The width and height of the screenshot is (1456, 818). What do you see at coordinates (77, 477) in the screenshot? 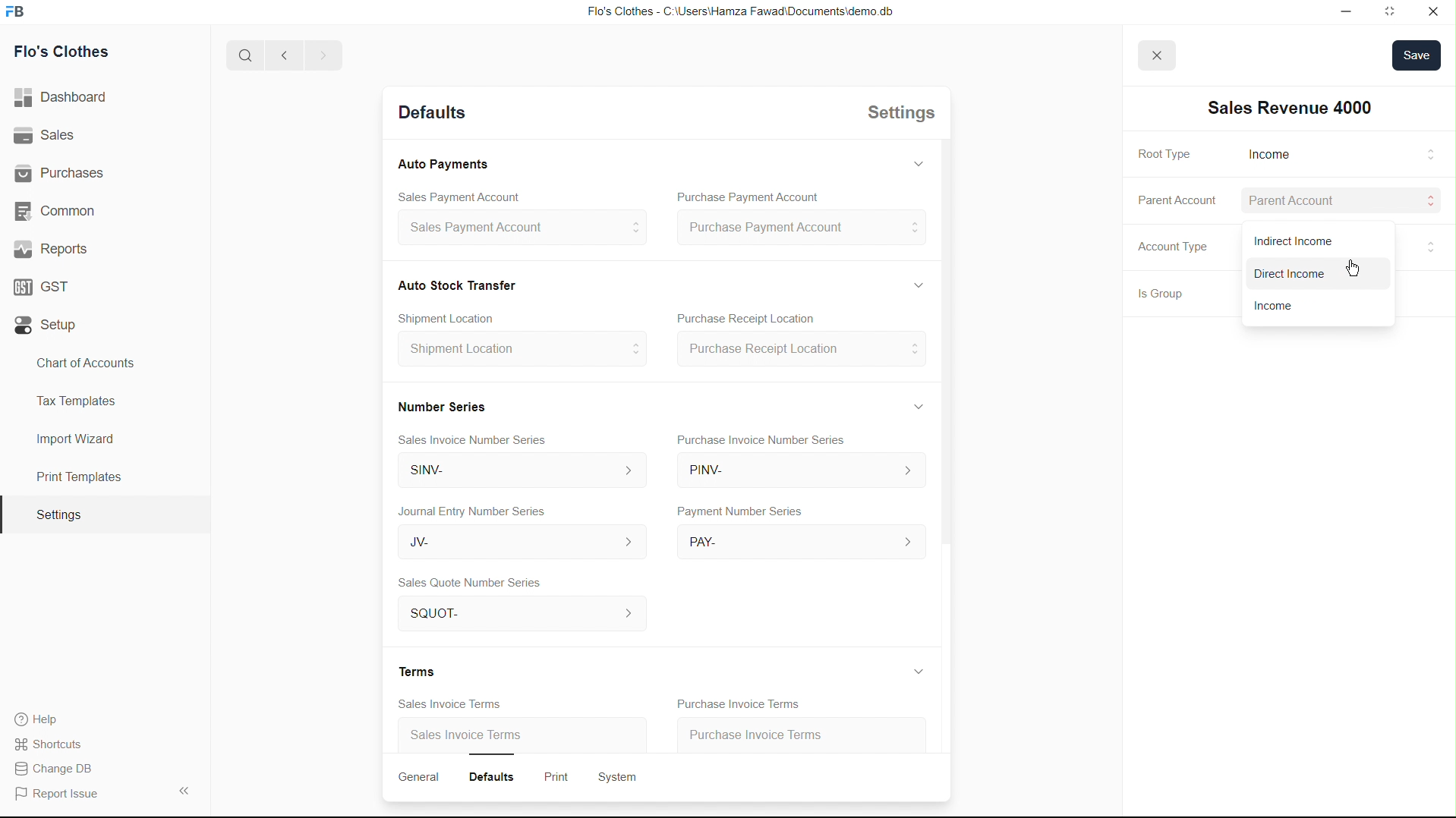
I see `Print Templates` at bounding box center [77, 477].